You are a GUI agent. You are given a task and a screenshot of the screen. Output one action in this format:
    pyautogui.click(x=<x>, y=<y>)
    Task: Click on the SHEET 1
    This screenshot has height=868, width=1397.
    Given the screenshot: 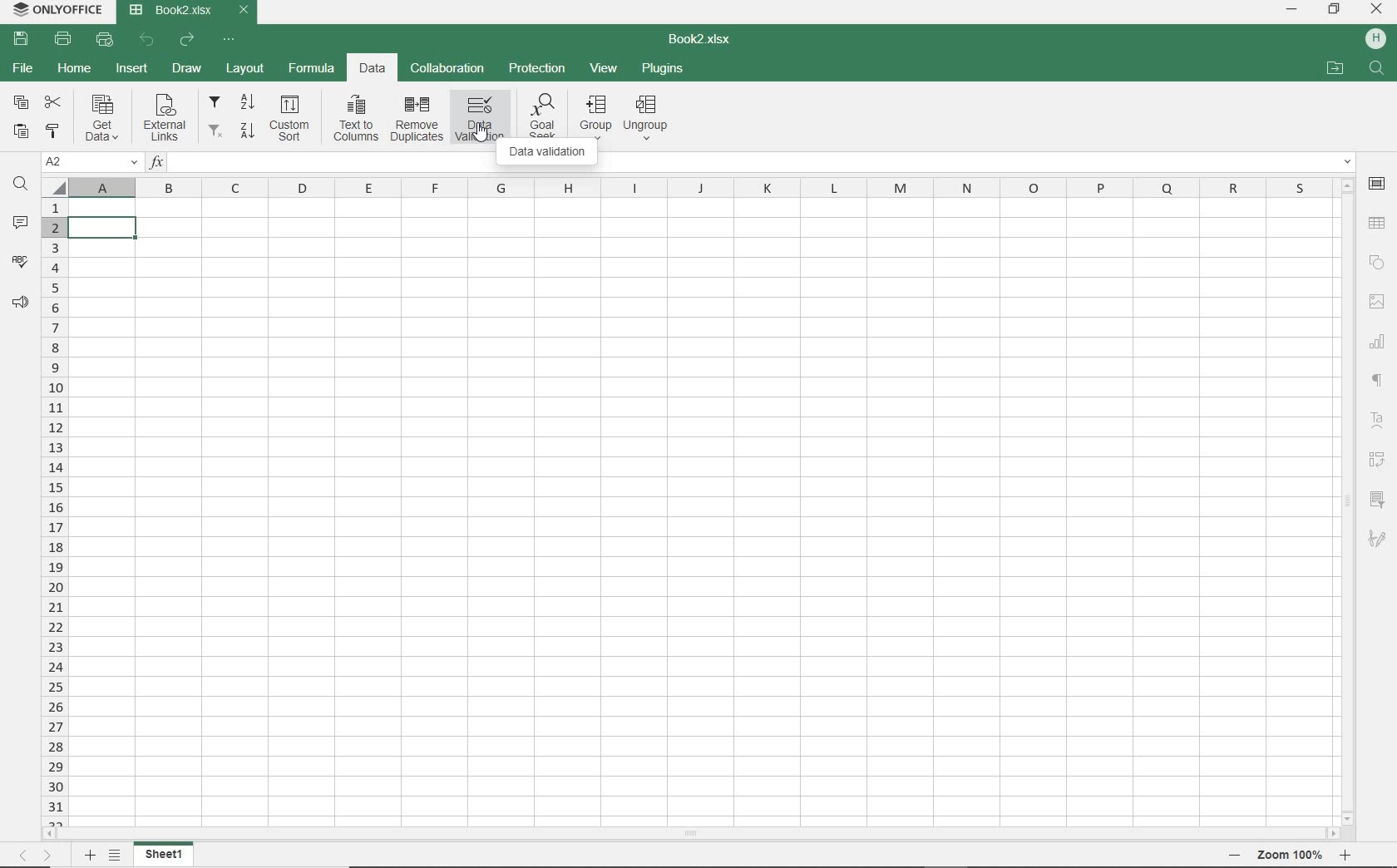 What is the action you would take?
    pyautogui.click(x=165, y=855)
    